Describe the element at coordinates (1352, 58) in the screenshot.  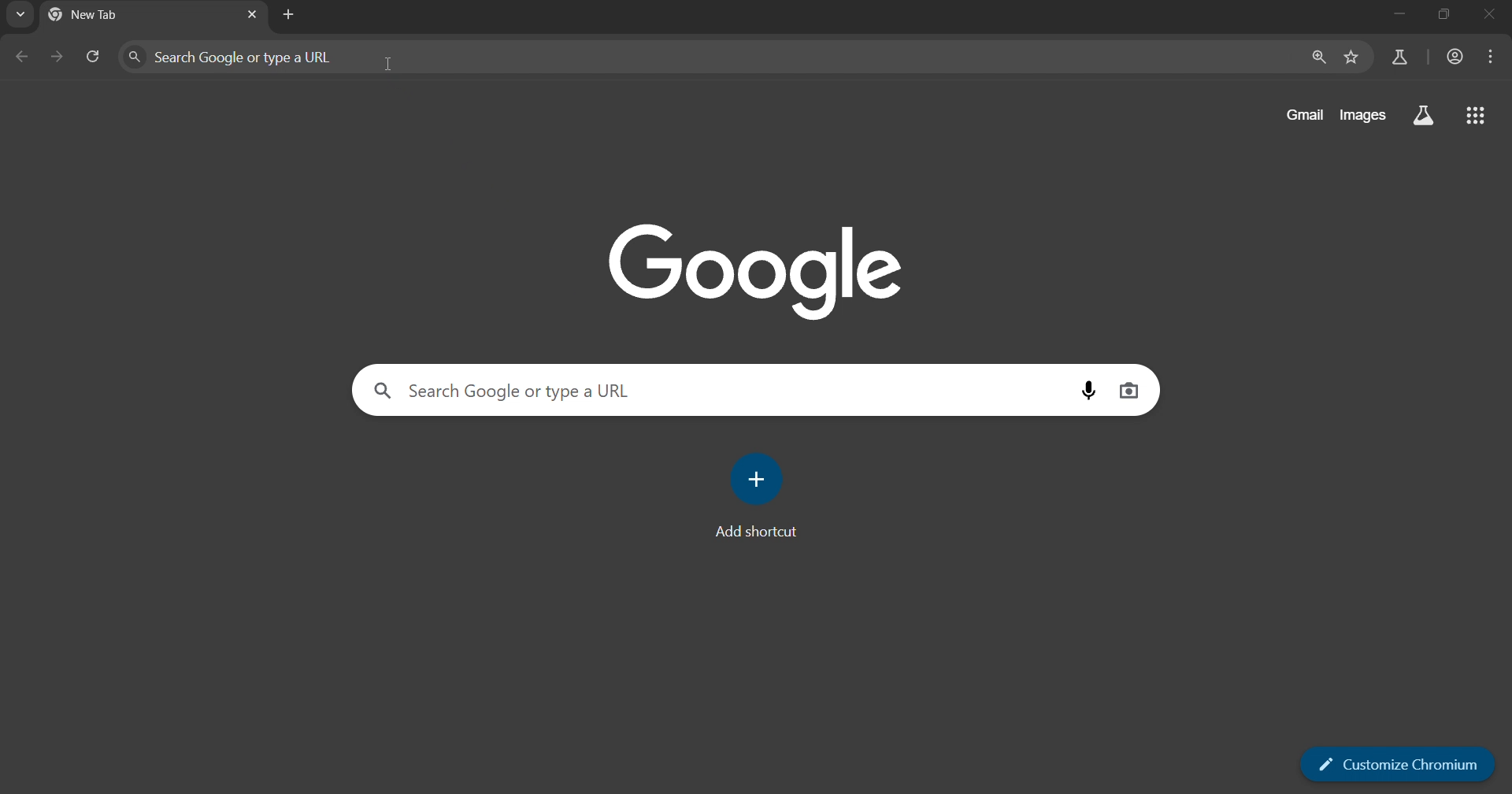
I see `bookmark page` at that location.